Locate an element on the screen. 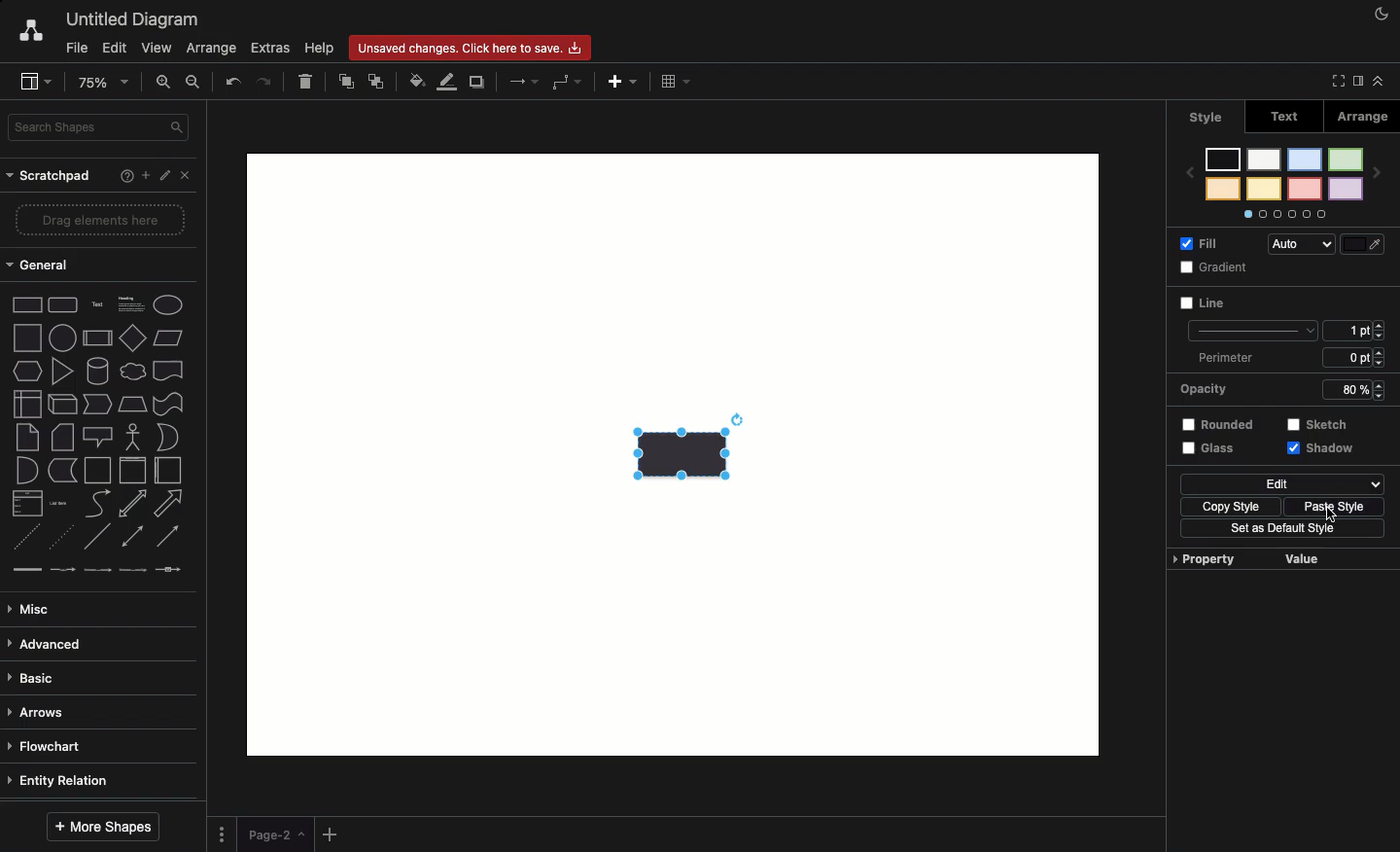 The width and height of the screenshot is (1400, 852). Full screen is located at coordinates (1334, 81).